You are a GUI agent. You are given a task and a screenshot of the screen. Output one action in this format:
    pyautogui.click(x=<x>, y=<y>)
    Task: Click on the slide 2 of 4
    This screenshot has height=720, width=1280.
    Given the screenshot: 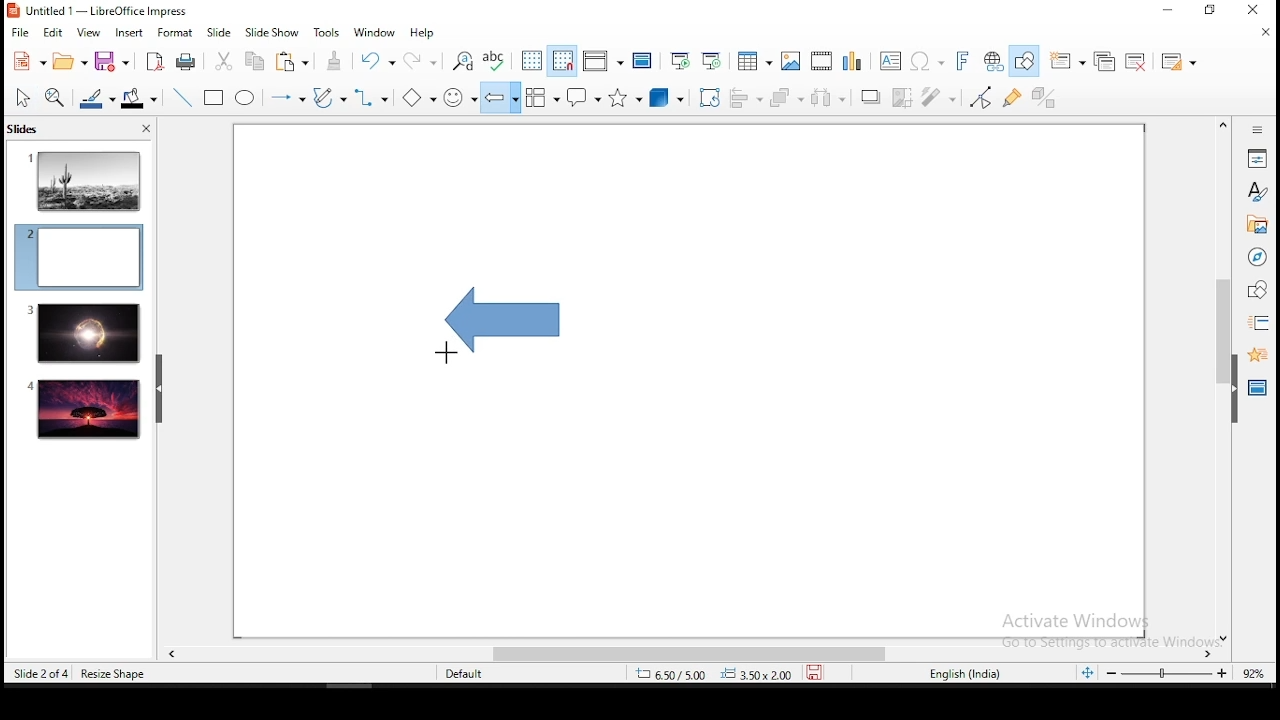 What is the action you would take?
    pyautogui.click(x=41, y=674)
    